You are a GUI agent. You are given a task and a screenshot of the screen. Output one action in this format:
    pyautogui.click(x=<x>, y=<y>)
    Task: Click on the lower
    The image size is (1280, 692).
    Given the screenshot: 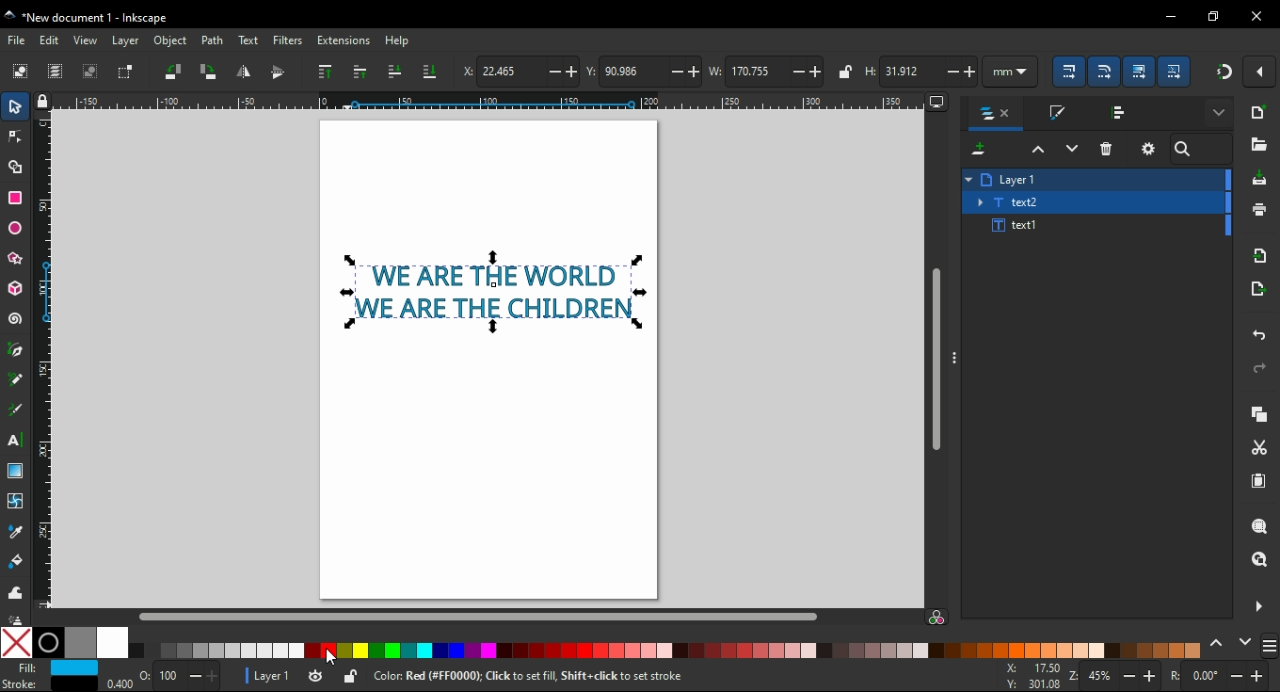 What is the action you would take?
    pyautogui.click(x=395, y=71)
    